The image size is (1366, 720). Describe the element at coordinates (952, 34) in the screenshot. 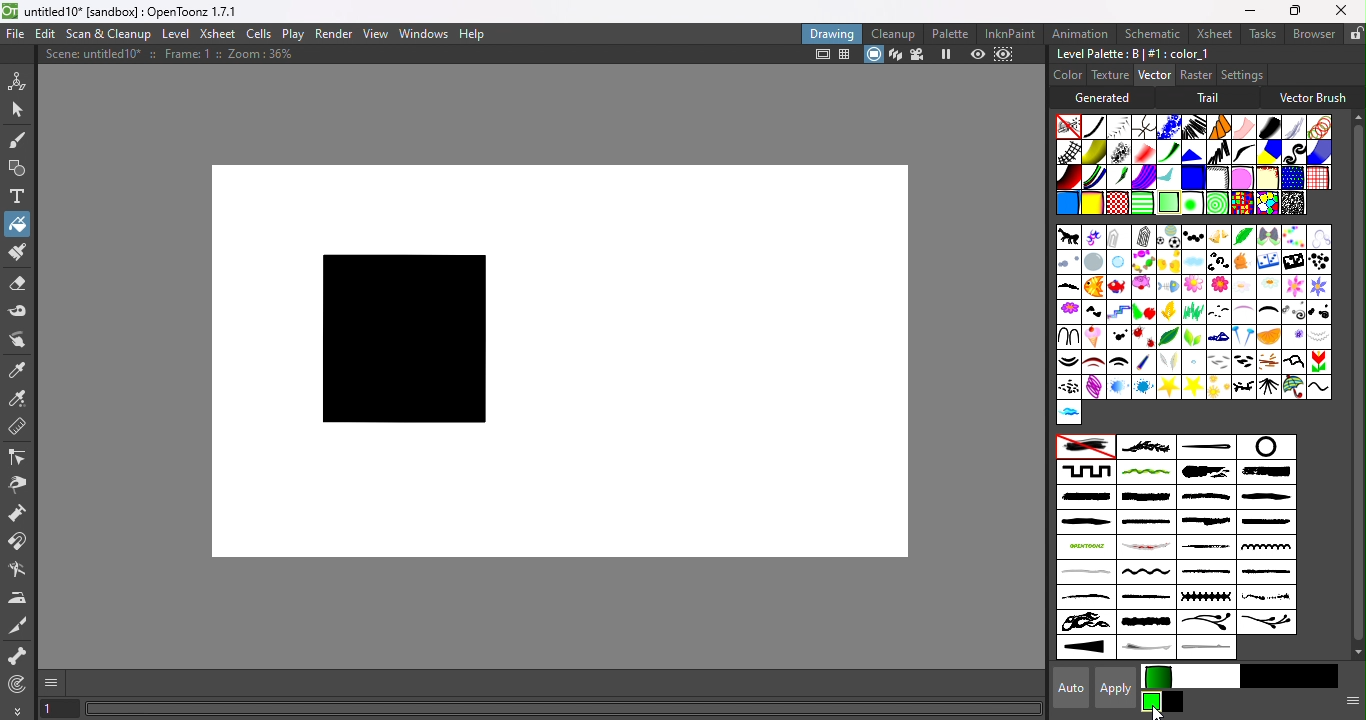

I see `Palette` at that location.